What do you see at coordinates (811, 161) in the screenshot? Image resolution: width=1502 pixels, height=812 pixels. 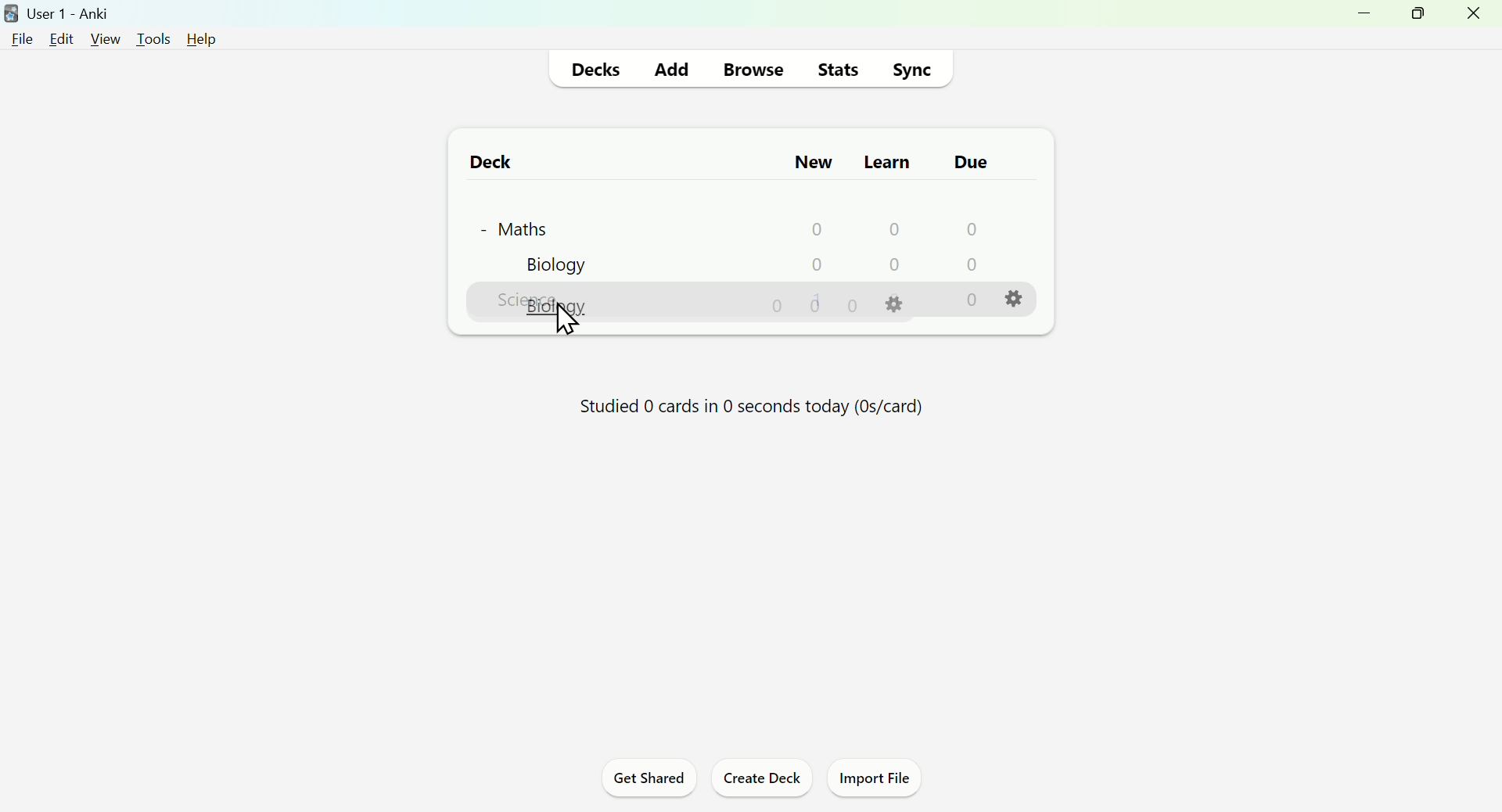 I see `New` at bounding box center [811, 161].